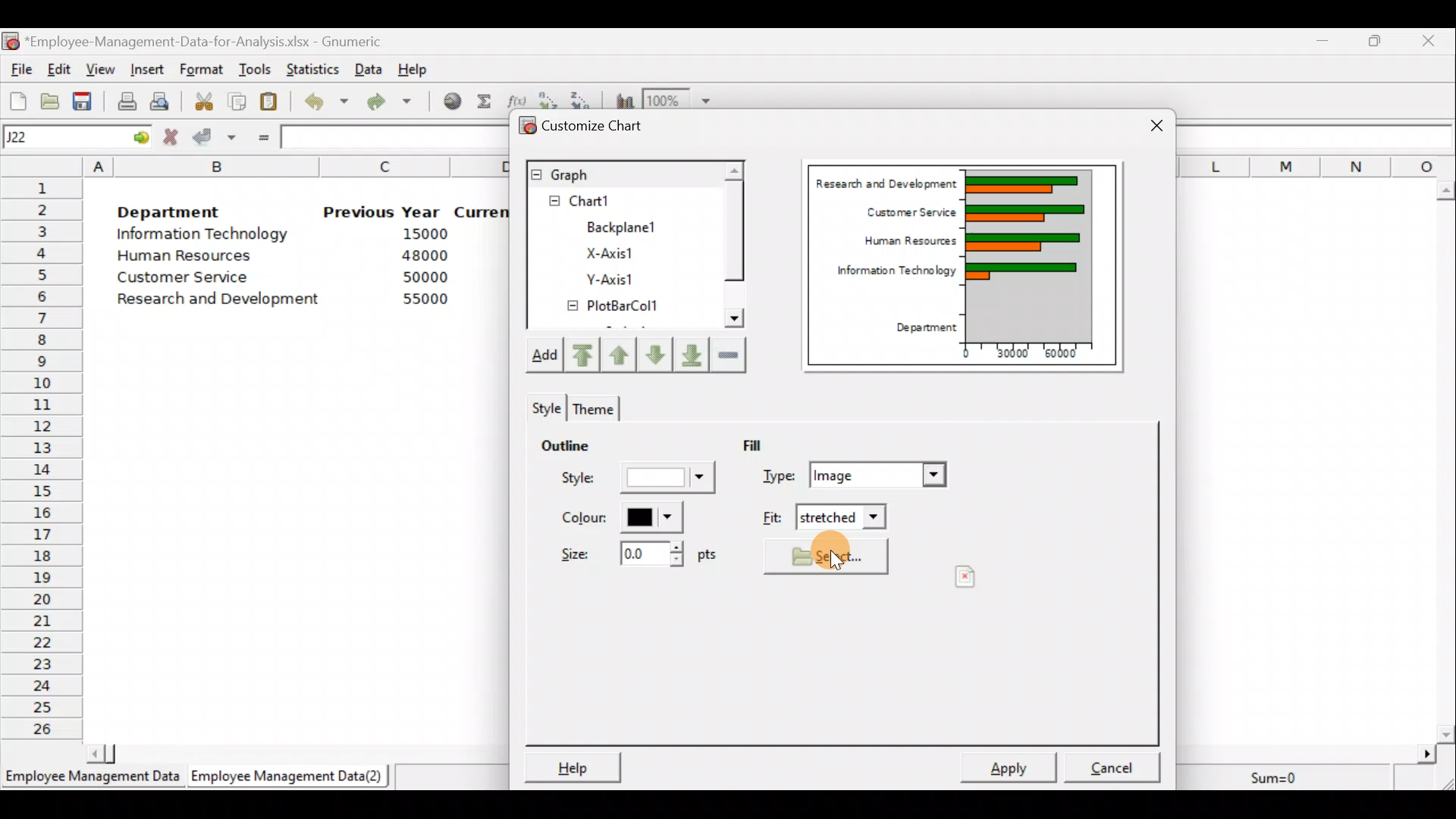  What do you see at coordinates (150, 67) in the screenshot?
I see `Insert` at bounding box center [150, 67].